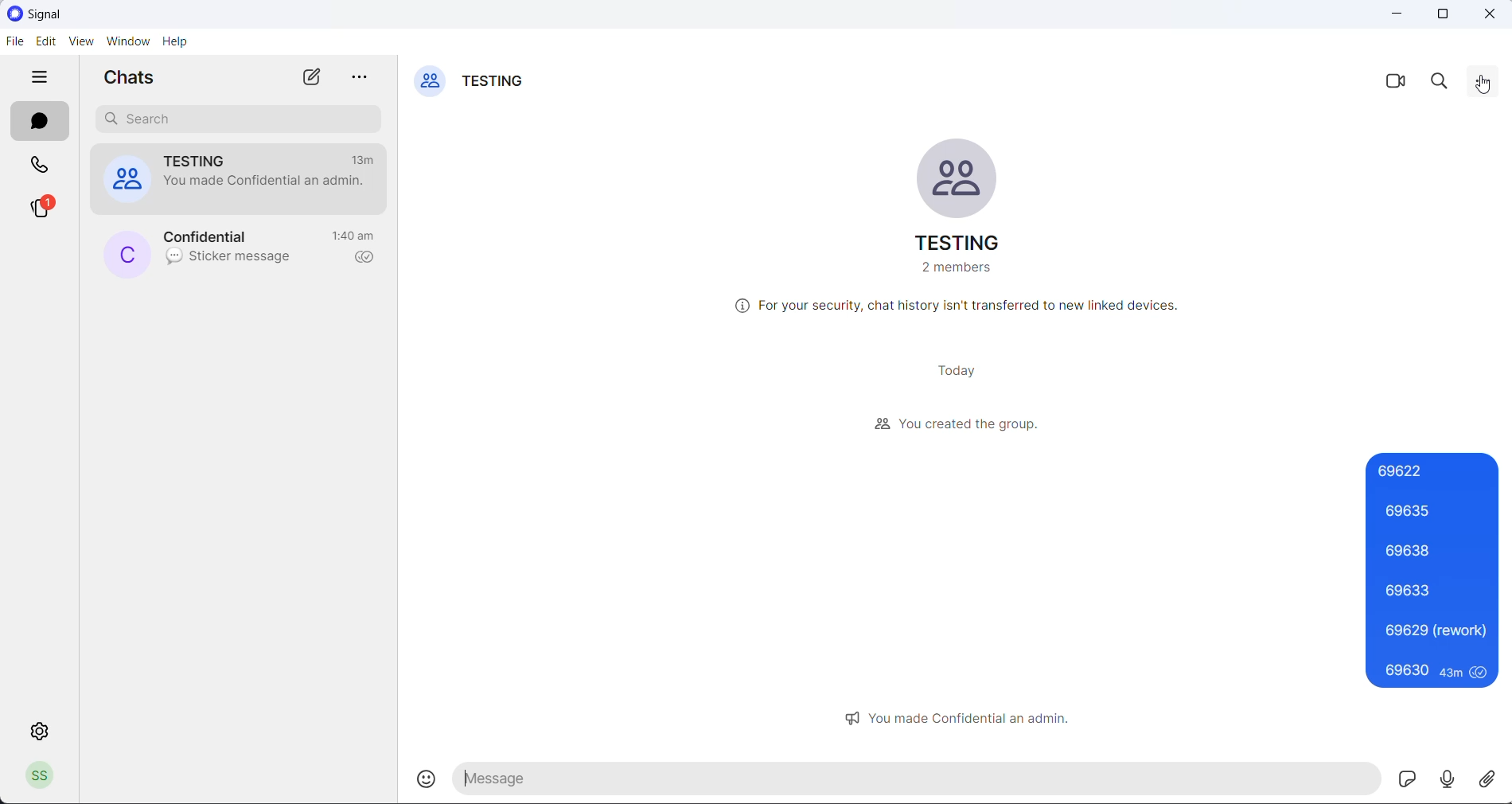 This screenshot has height=804, width=1512. I want to click on sticker, so click(1409, 779).